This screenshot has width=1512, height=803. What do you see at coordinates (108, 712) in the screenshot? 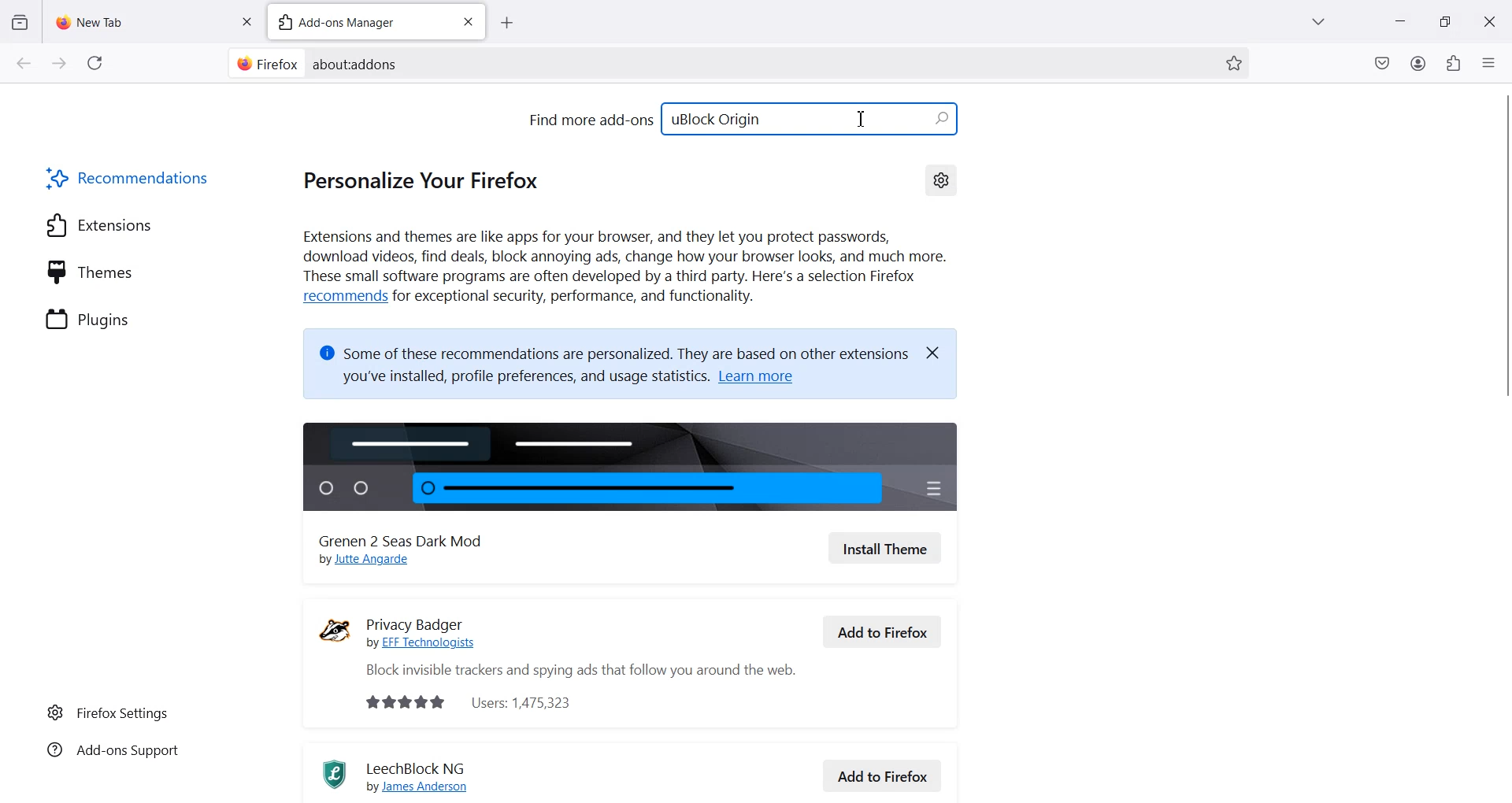
I see `Firefox Settings` at bounding box center [108, 712].